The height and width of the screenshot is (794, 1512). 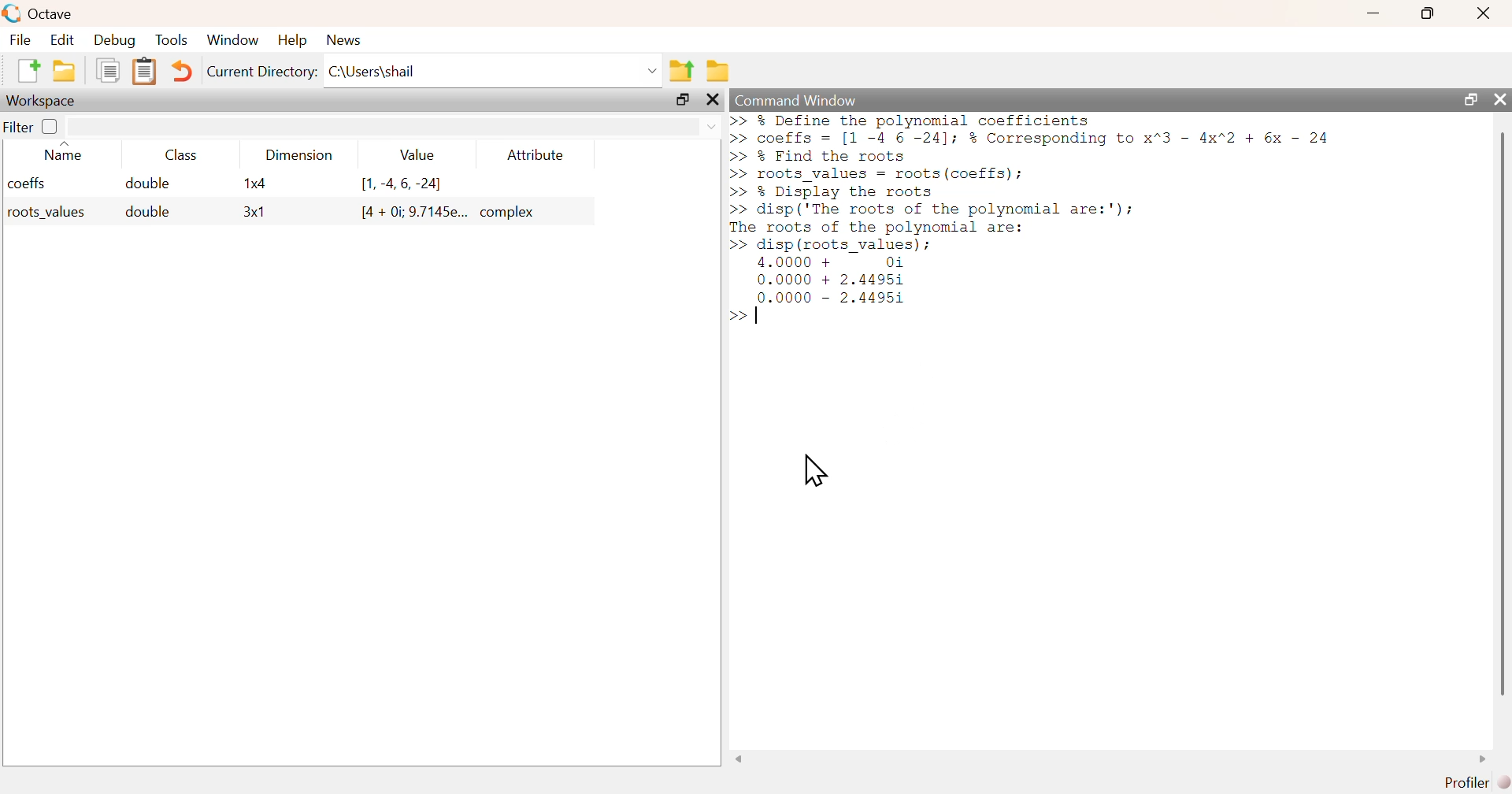 What do you see at coordinates (1500, 100) in the screenshot?
I see `close` at bounding box center [1500, 100].